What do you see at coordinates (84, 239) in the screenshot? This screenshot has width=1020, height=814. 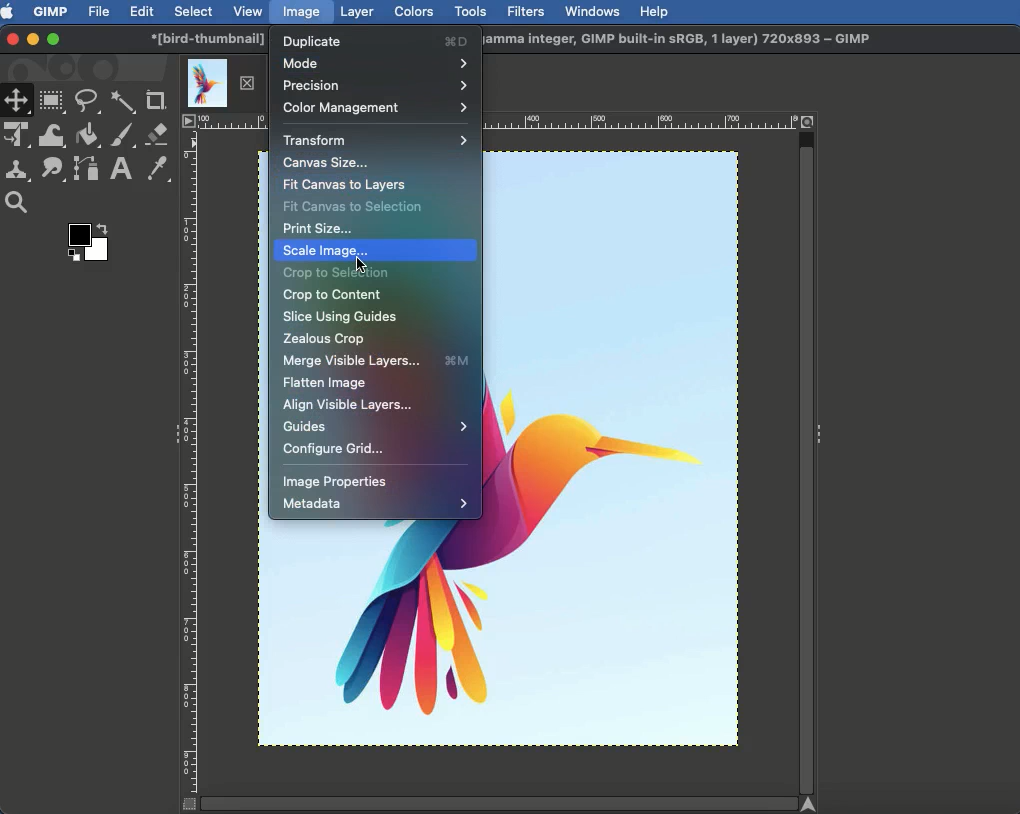 I see `Color` at bounding box center [84, 239].